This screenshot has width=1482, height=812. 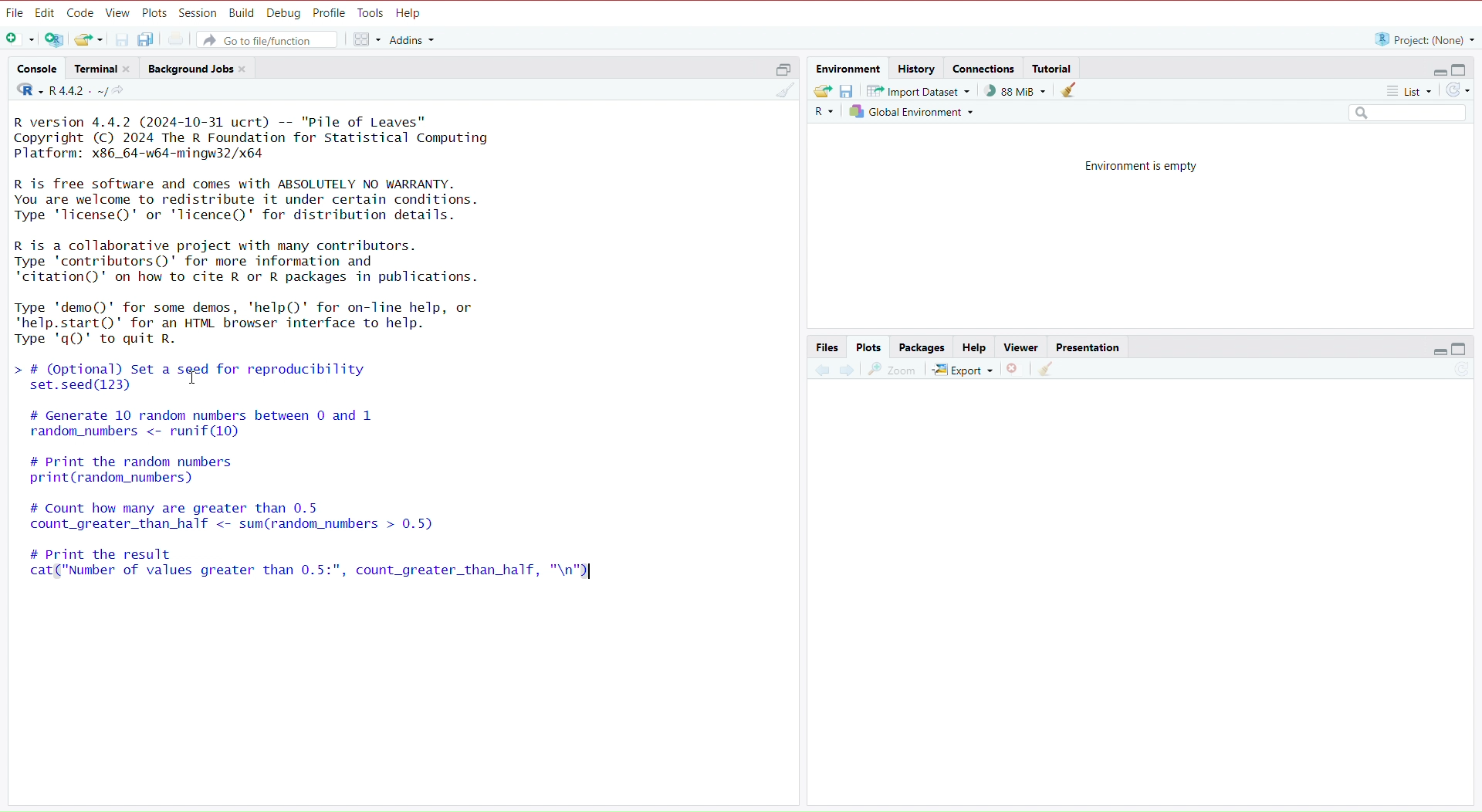 What do you see at coordinates (100, 68) in the screenshot?
I see `Terminal` at bounding box center [100, 68].